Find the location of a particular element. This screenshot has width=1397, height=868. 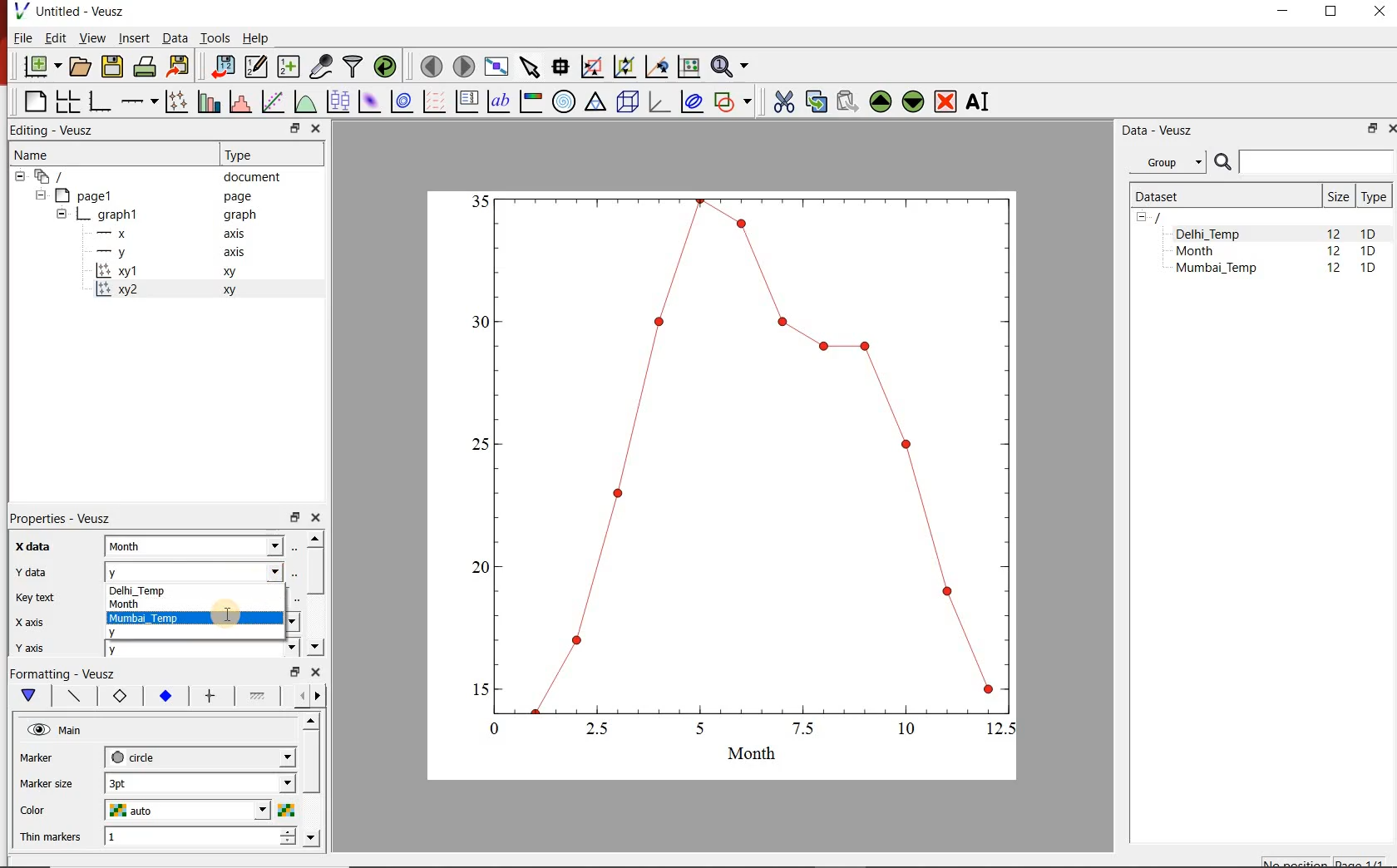

Main is located at coordinates (57, 730).